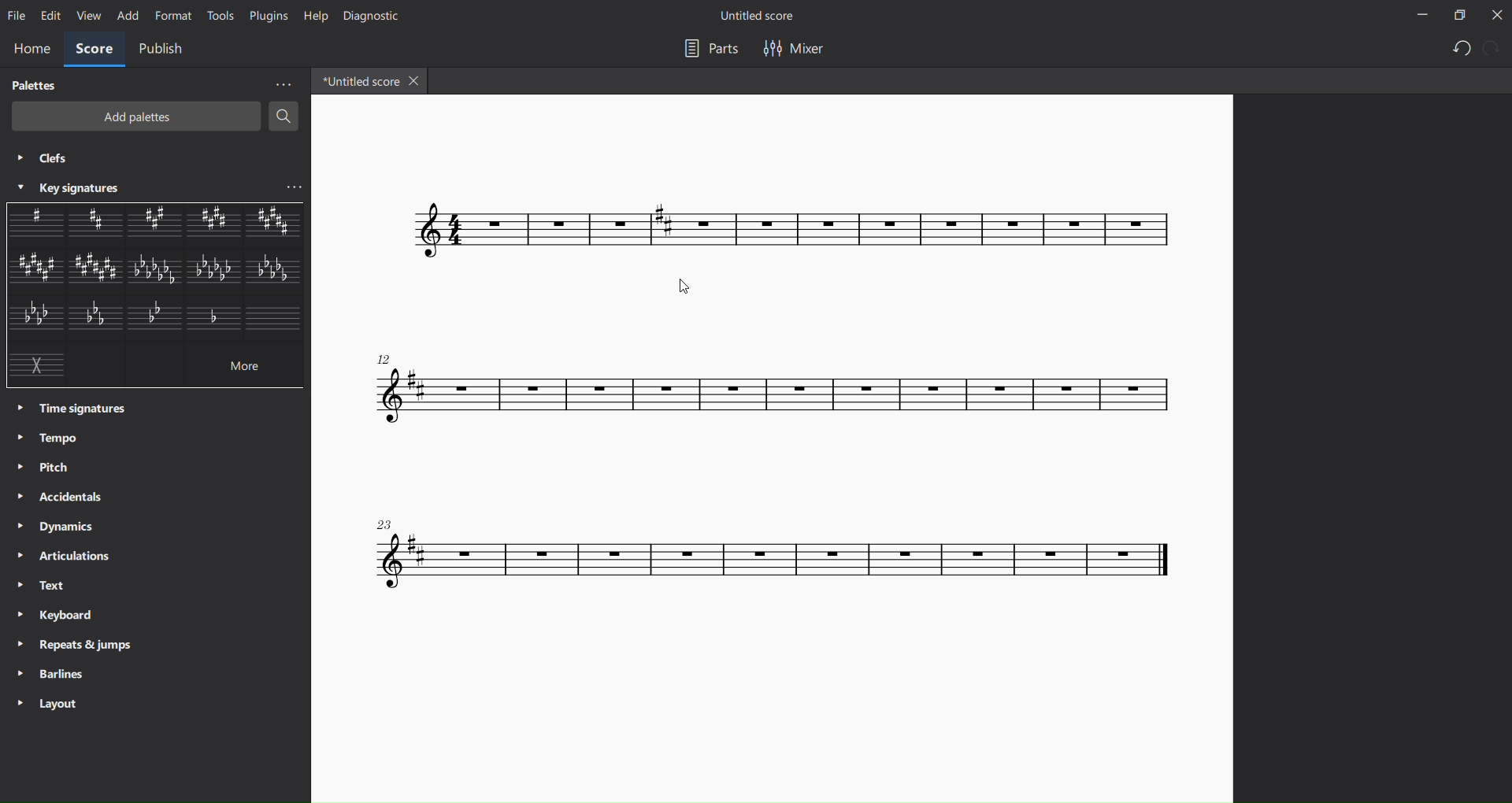  What do you see at coordinates (135, 117) in the screenshot?
I see `add palettes` at bounding box center [135, 117].